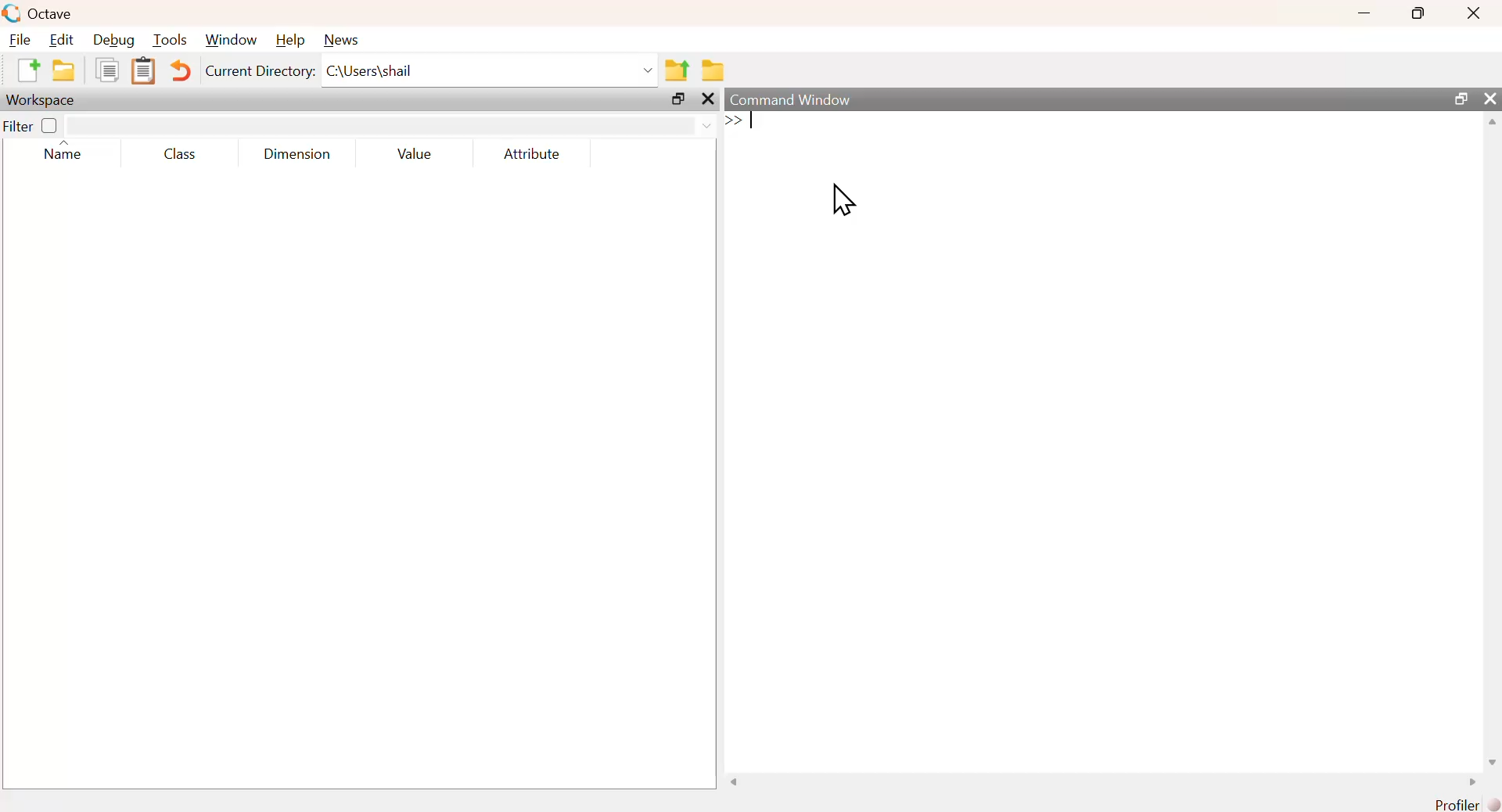 Image resolution: width=1502 pixels, height=812 pixels. Describe the element at coordinates (679, 70) in the screenshot. I see `one directory up` at that location.